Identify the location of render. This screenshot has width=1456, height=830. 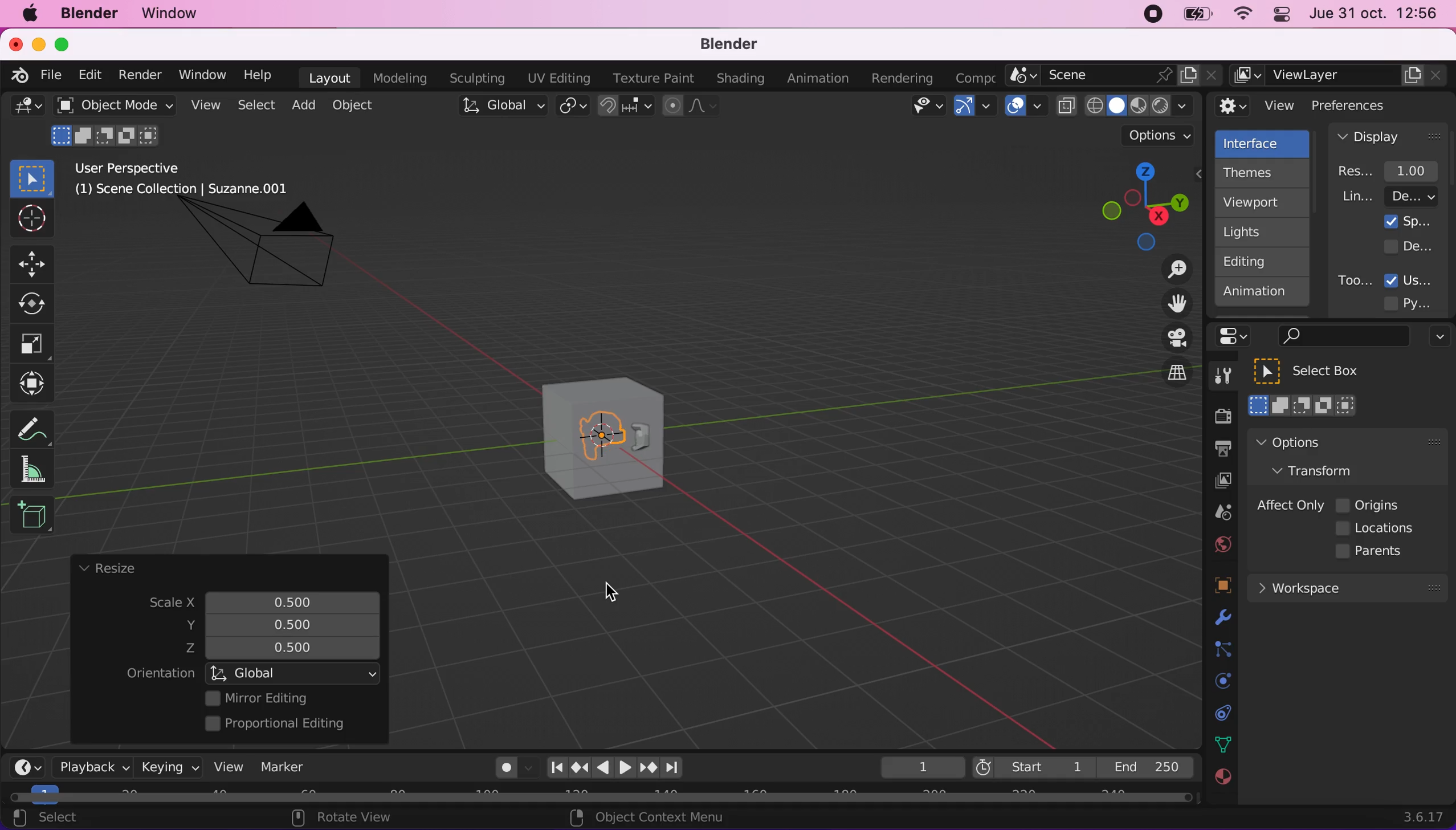
(139, 76).